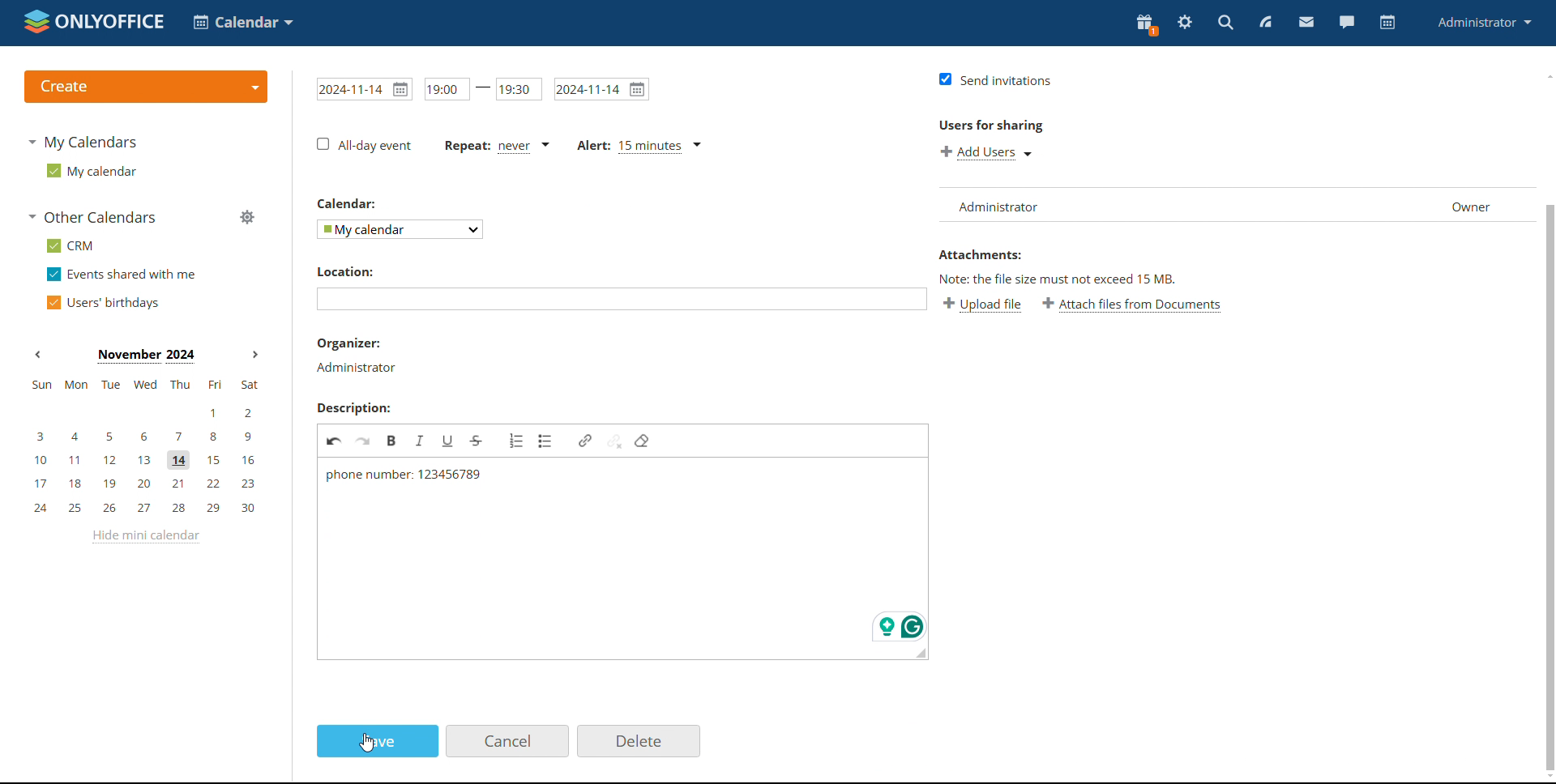 The image size is (1556, 784). Describe the element at coordinates (639, 147) in the screenshot. I see `text` at that location.